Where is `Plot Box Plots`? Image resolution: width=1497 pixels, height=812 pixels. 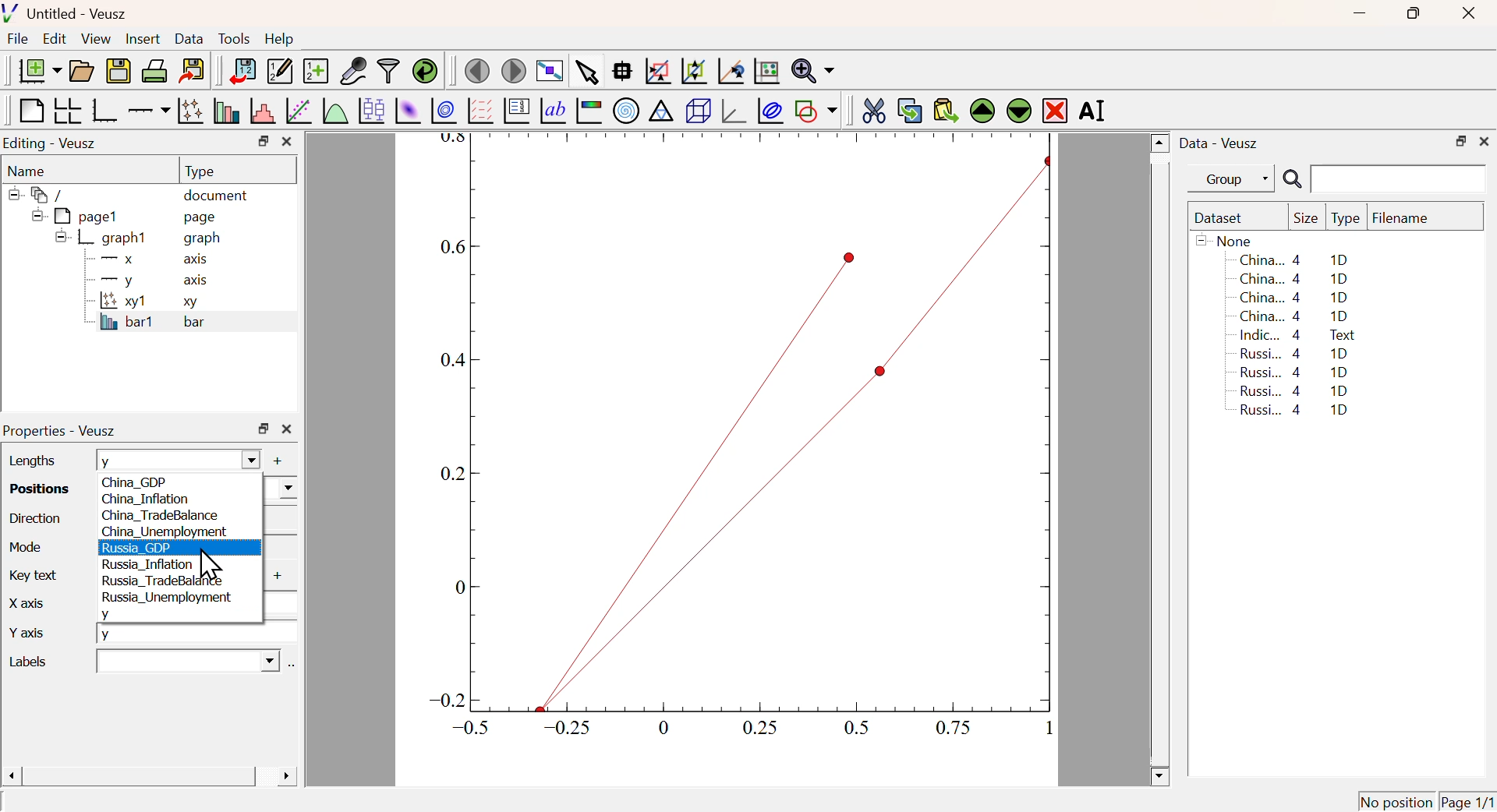
Plot Box Plots is located at coordinates (370, 110).